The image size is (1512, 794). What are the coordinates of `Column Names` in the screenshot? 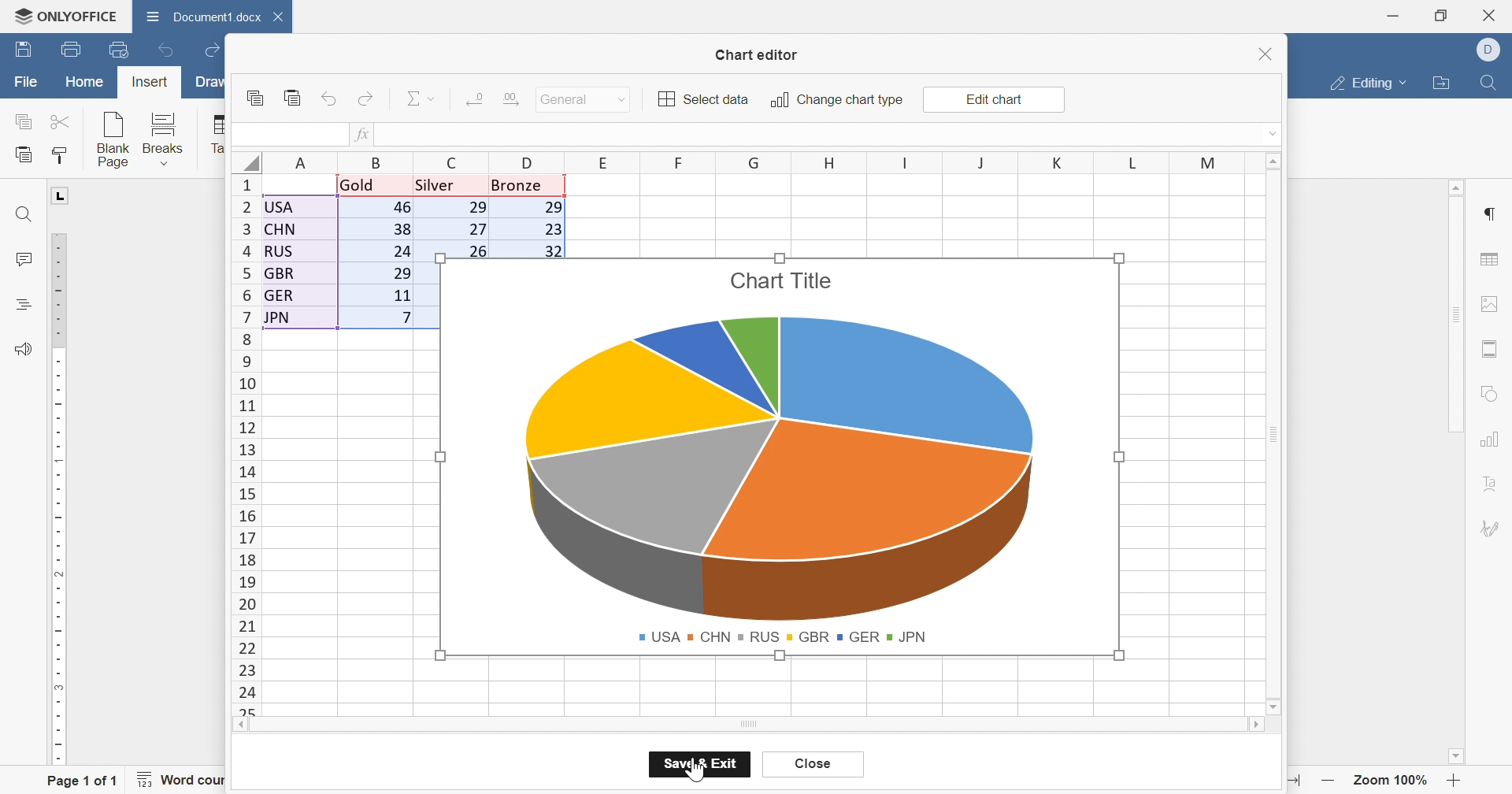 It's located at (749, 161).